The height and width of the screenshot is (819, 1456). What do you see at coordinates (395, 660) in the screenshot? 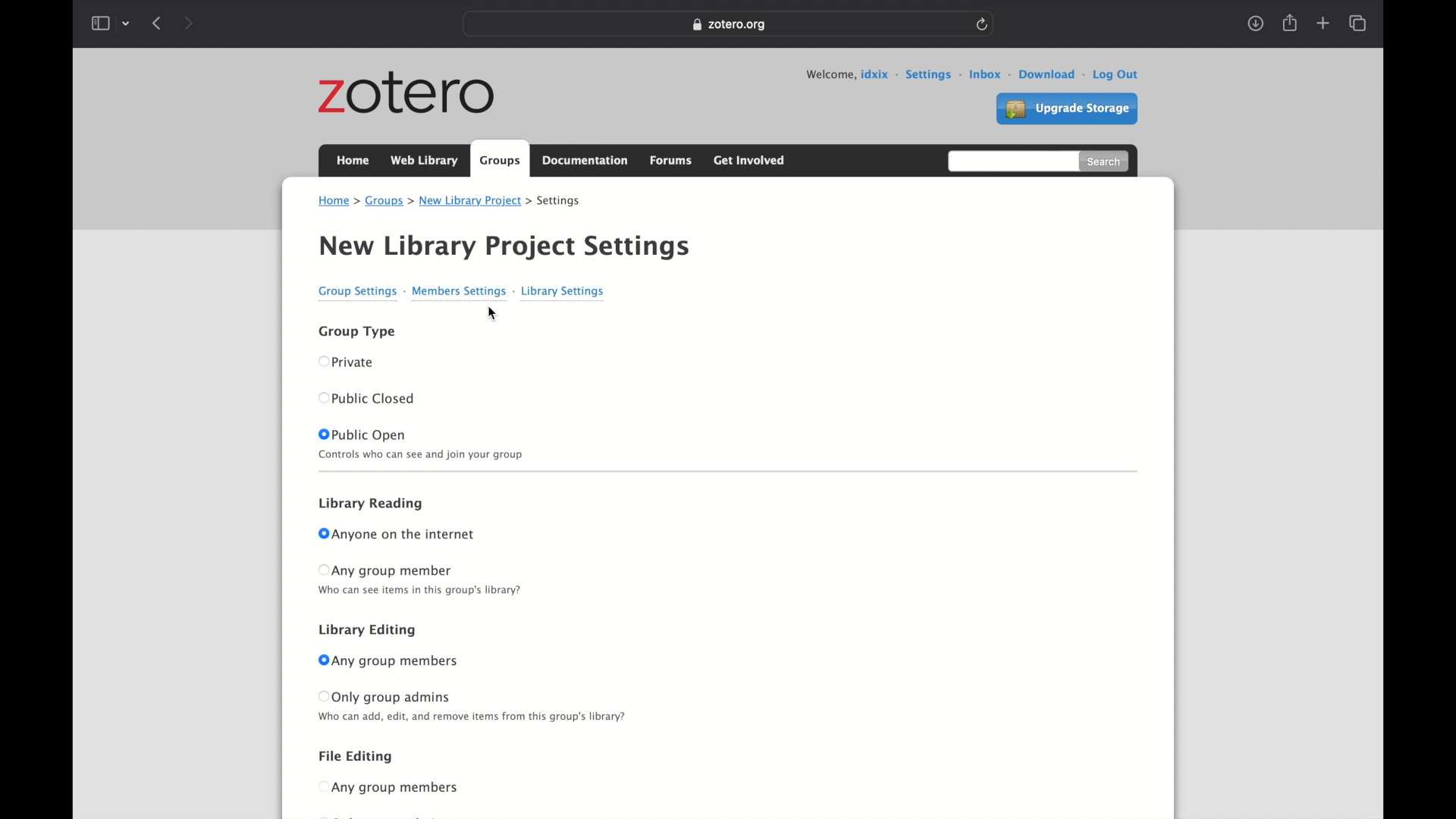
I see `any group members radio button` at bounding box center [395, 660].